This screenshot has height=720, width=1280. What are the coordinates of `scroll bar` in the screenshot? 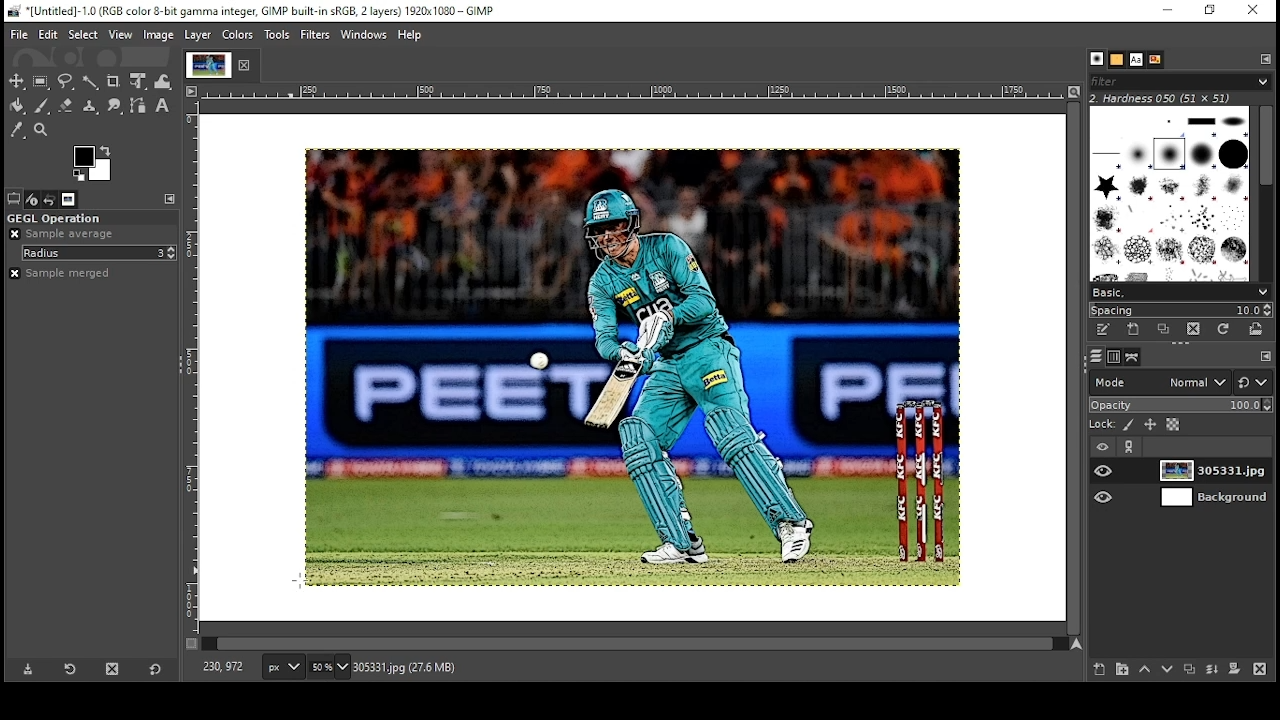 It's located at (1072, 367).